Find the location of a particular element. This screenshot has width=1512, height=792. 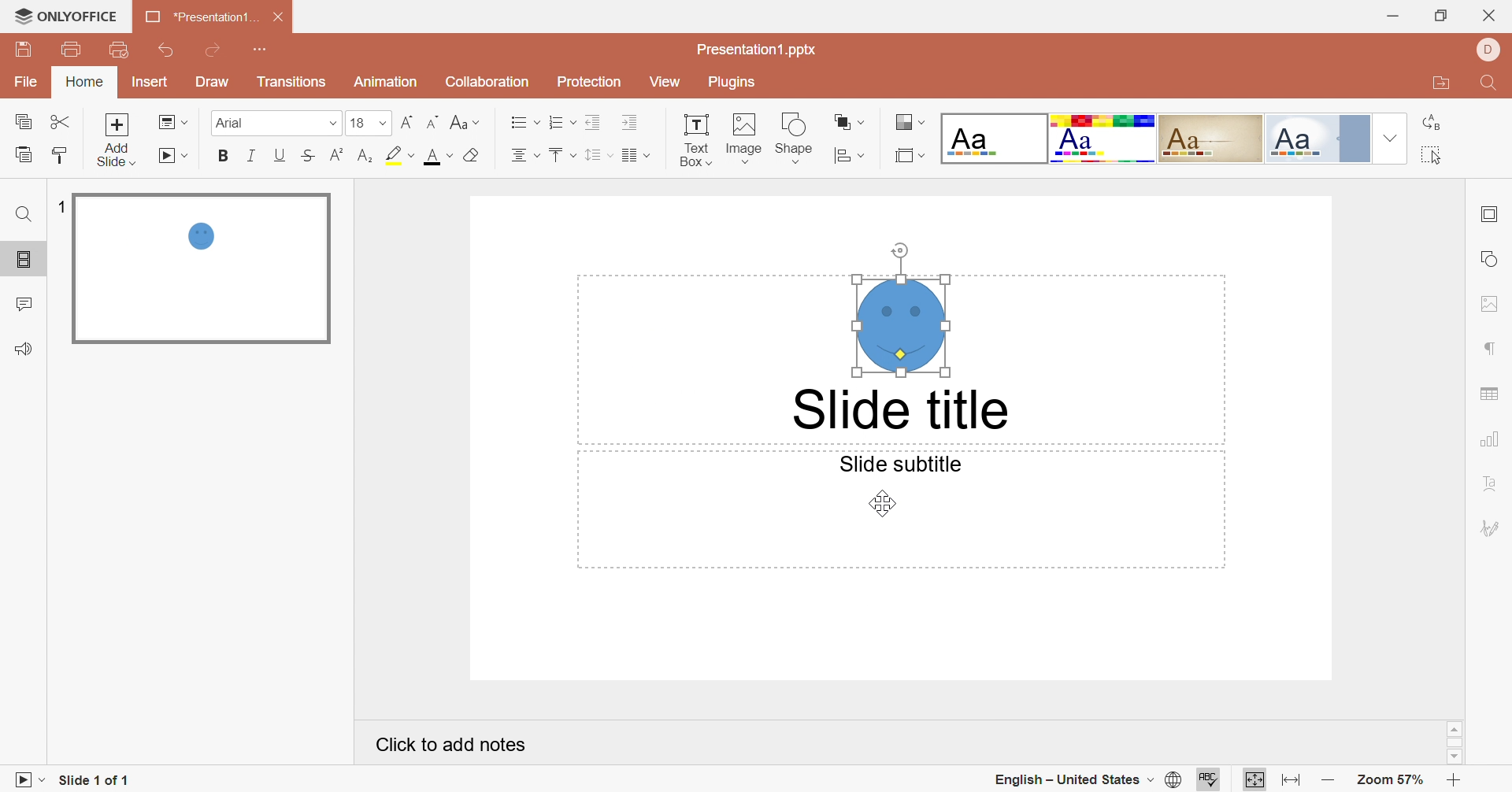

Add slide is located at coordinates (117, 124).